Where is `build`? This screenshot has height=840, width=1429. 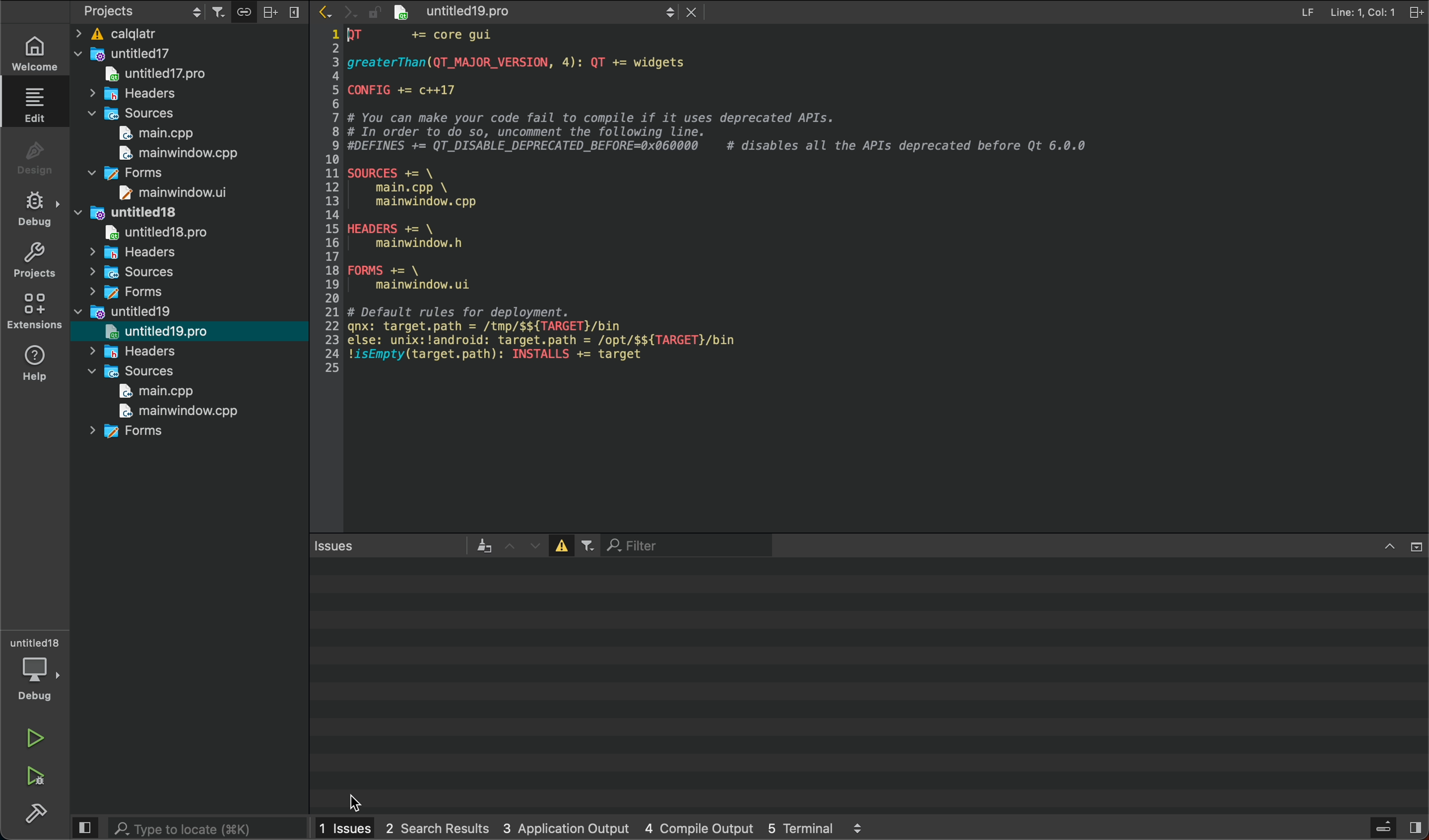 build is located at coordinates (35, 811).